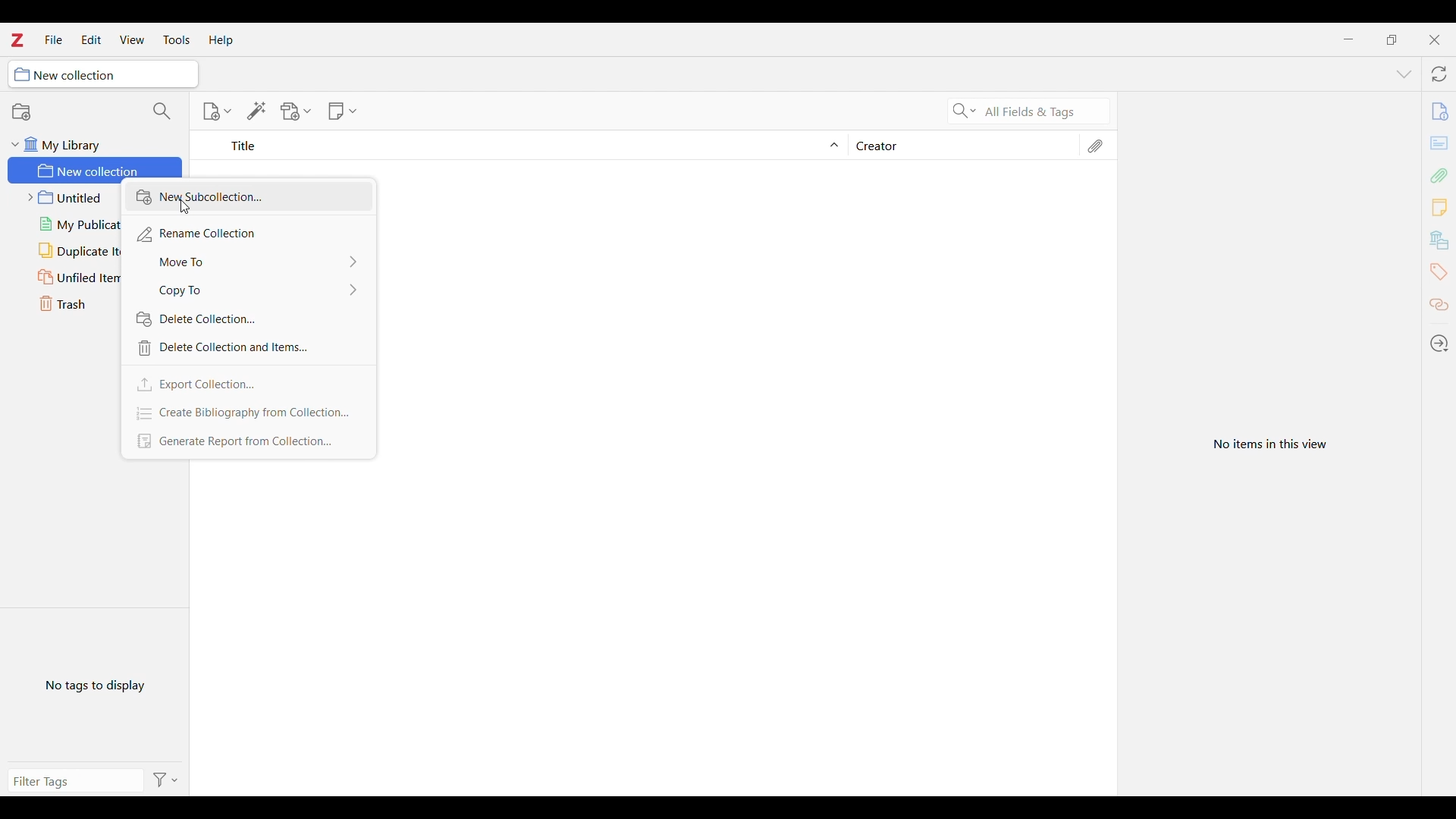 Image resolution: width=1456 pixels, height=819 pixels. Describe the element at coordinates (102, 74) in the screenshot. I see `Current collection` at that location.